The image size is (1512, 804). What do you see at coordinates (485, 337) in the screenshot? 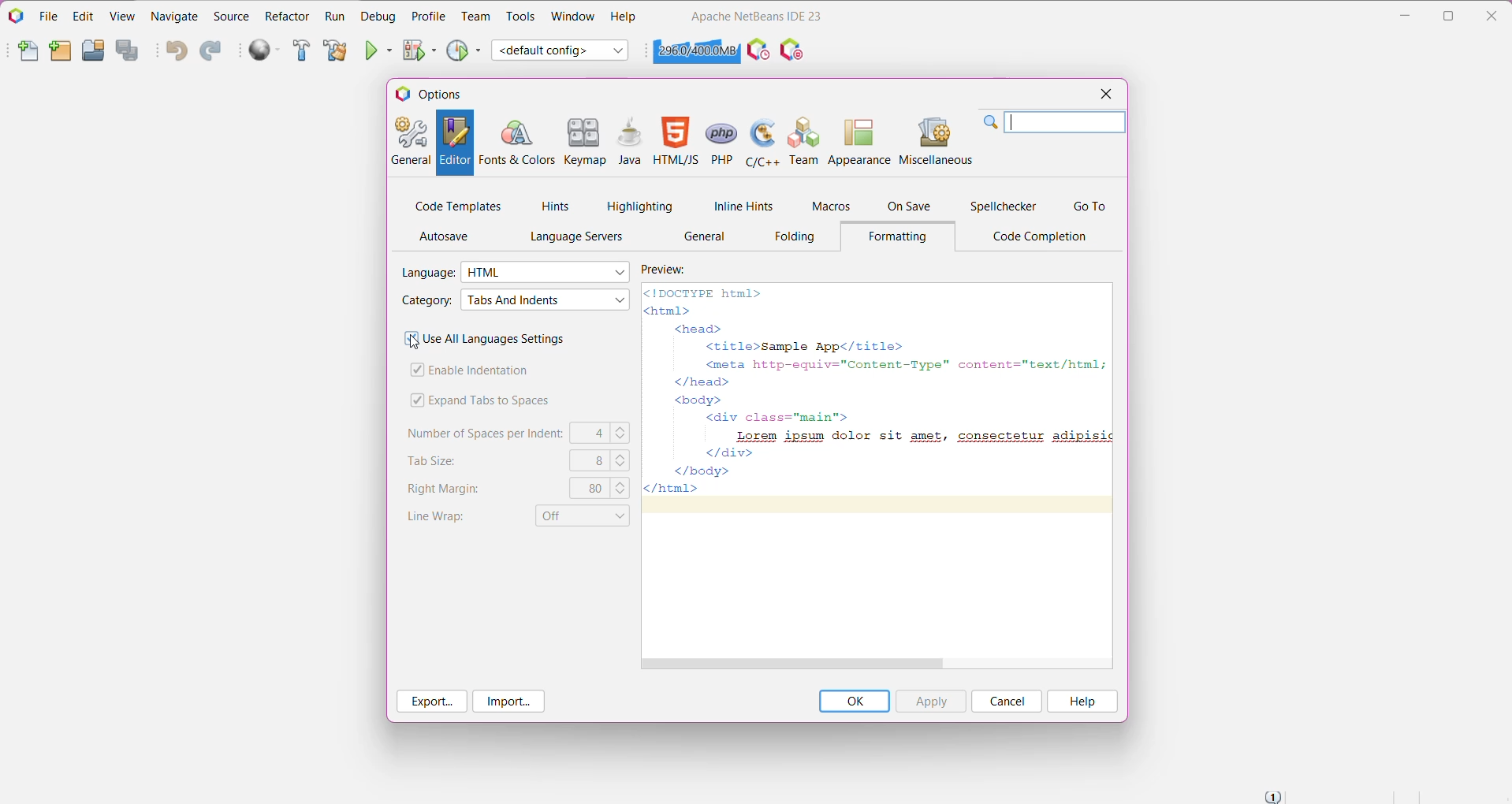
I see `Use All Languages Settings - Click to enable/disable` at bounding box center [485, 337].